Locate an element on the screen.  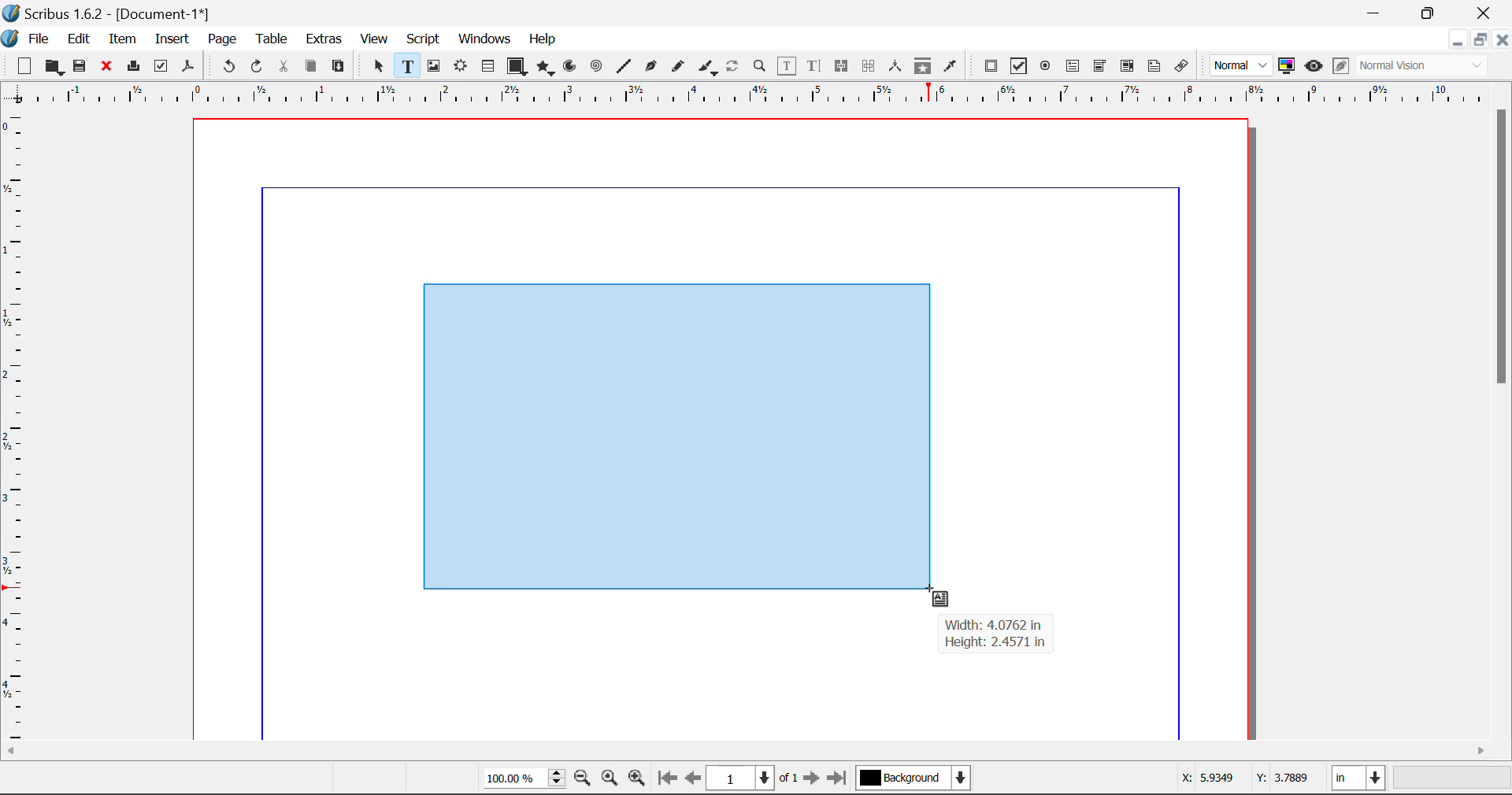
Last Page is located at coordinates (839, 780).